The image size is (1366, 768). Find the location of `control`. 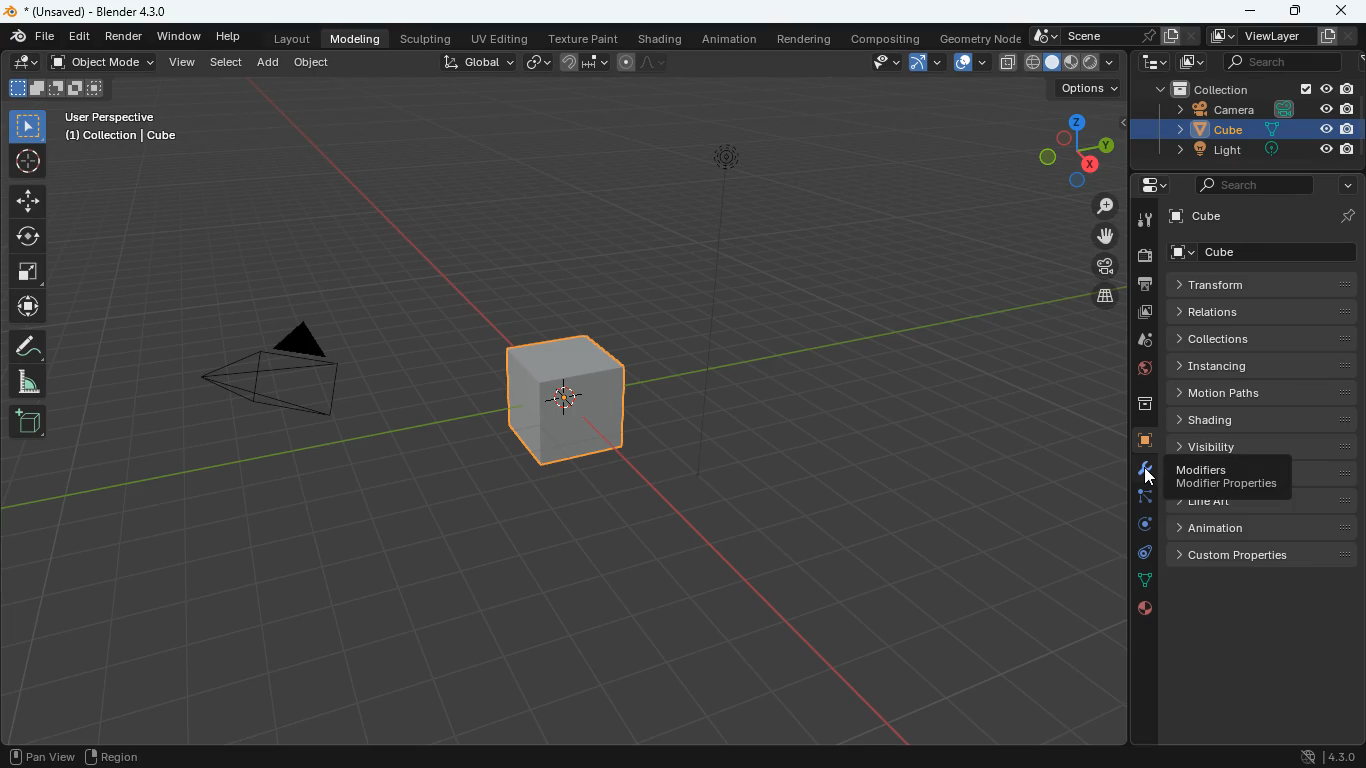

control is located at coordinates (1135, 554).